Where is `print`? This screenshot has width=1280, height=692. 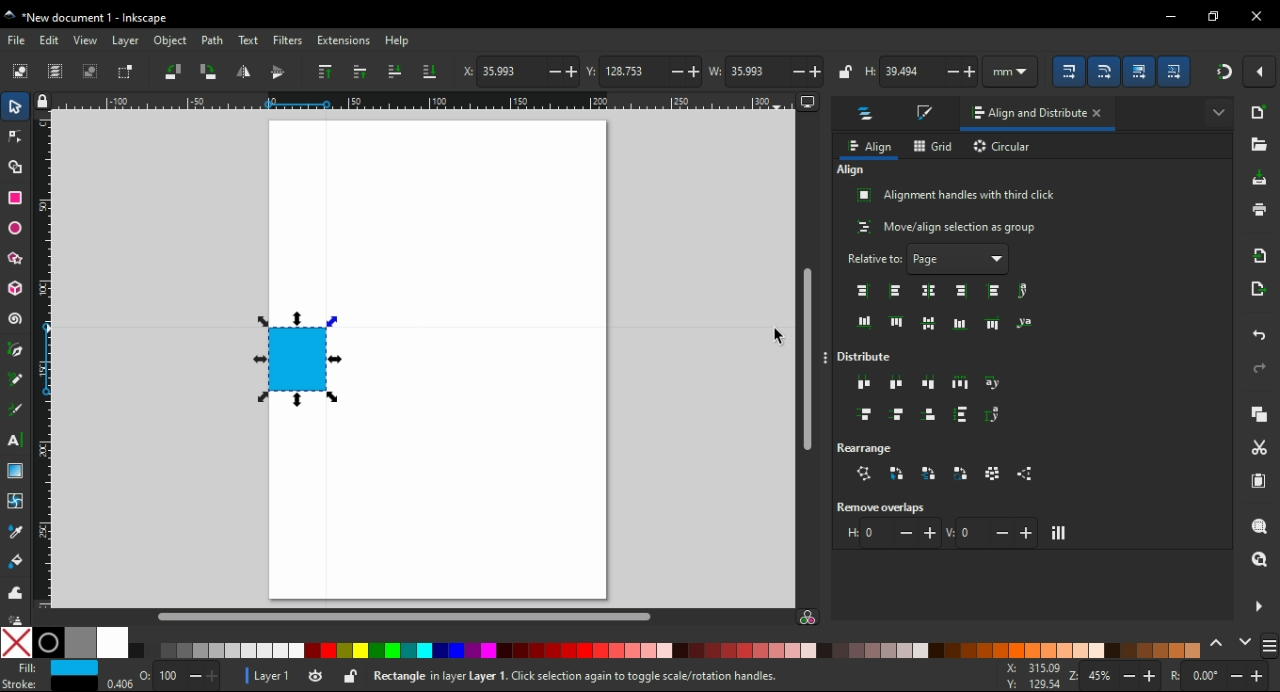 print is located at coordinates (1256, 214).